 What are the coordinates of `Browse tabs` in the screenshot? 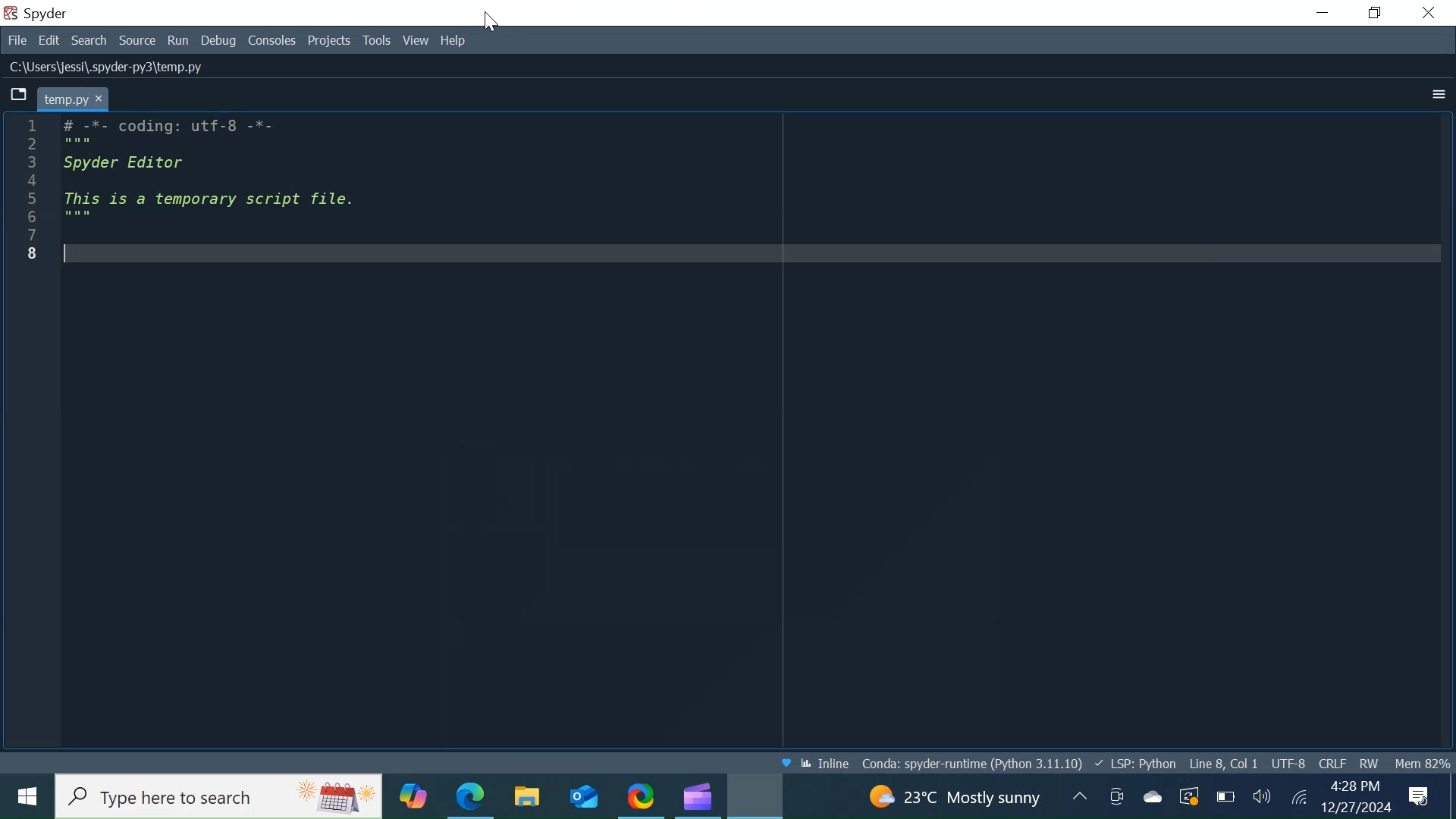 It's located at (20, 96).